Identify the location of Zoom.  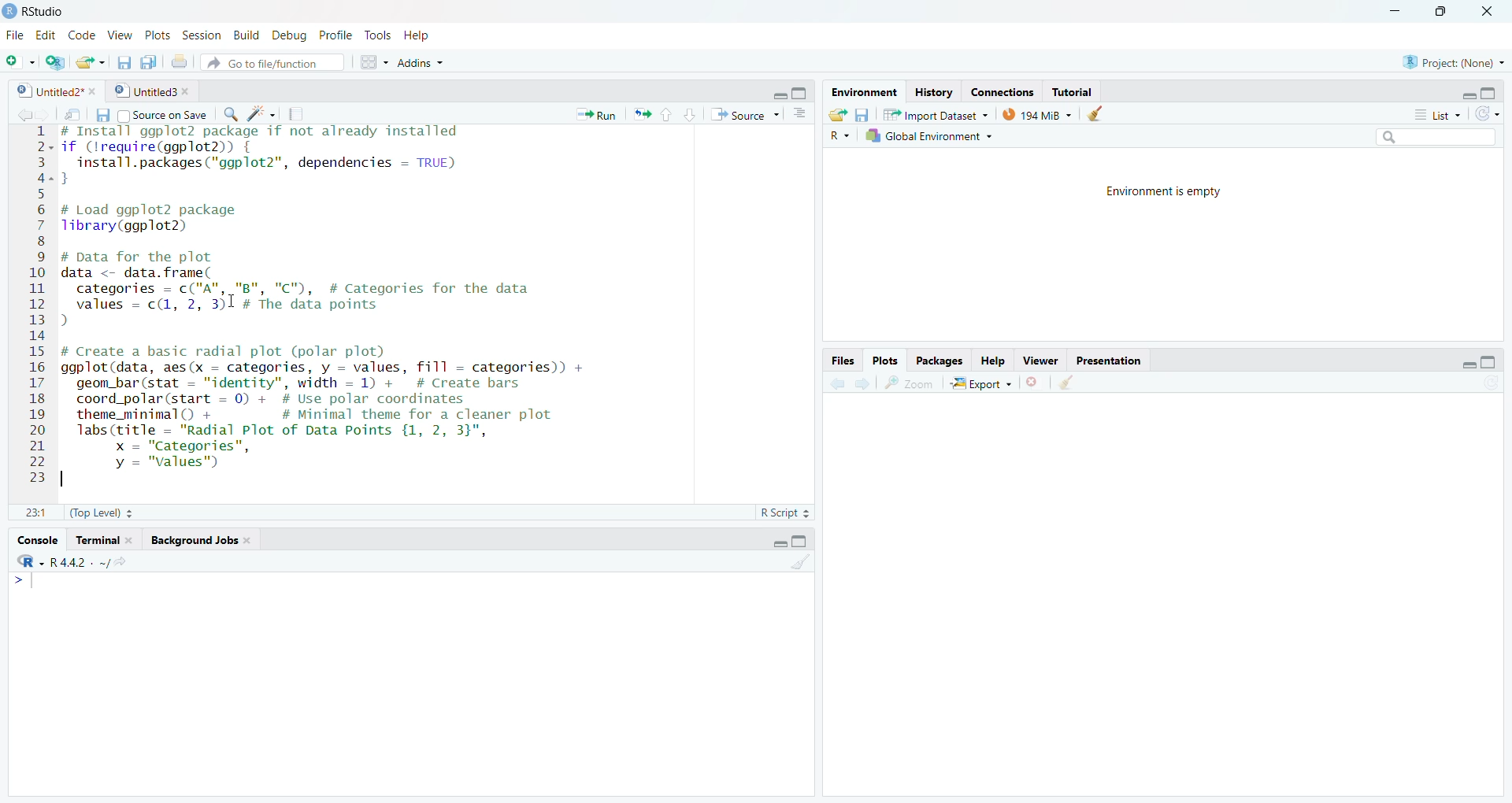
(910, 383).